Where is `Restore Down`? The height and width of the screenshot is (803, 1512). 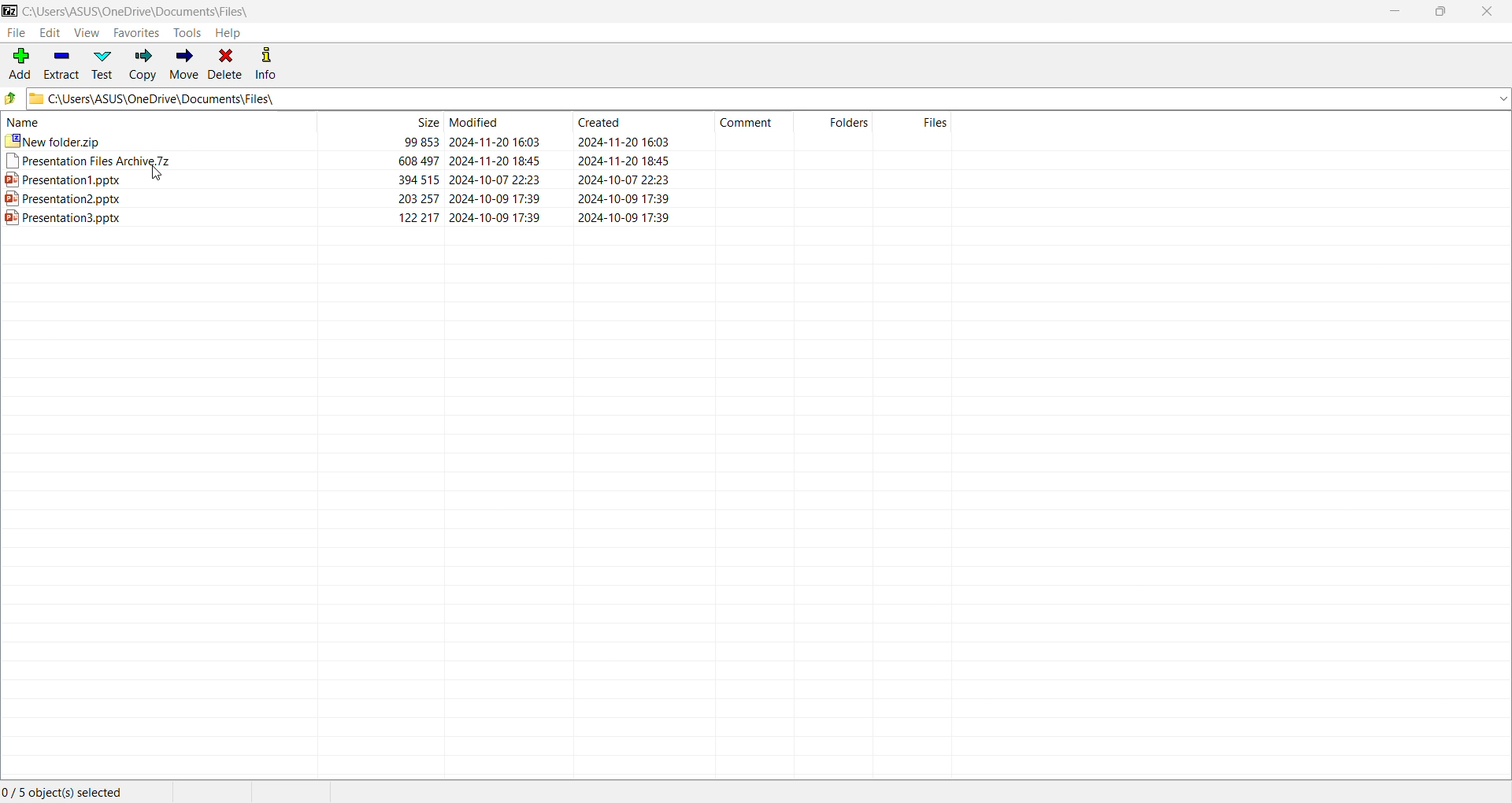 Restore Down is located at coordinates (1446, 11).